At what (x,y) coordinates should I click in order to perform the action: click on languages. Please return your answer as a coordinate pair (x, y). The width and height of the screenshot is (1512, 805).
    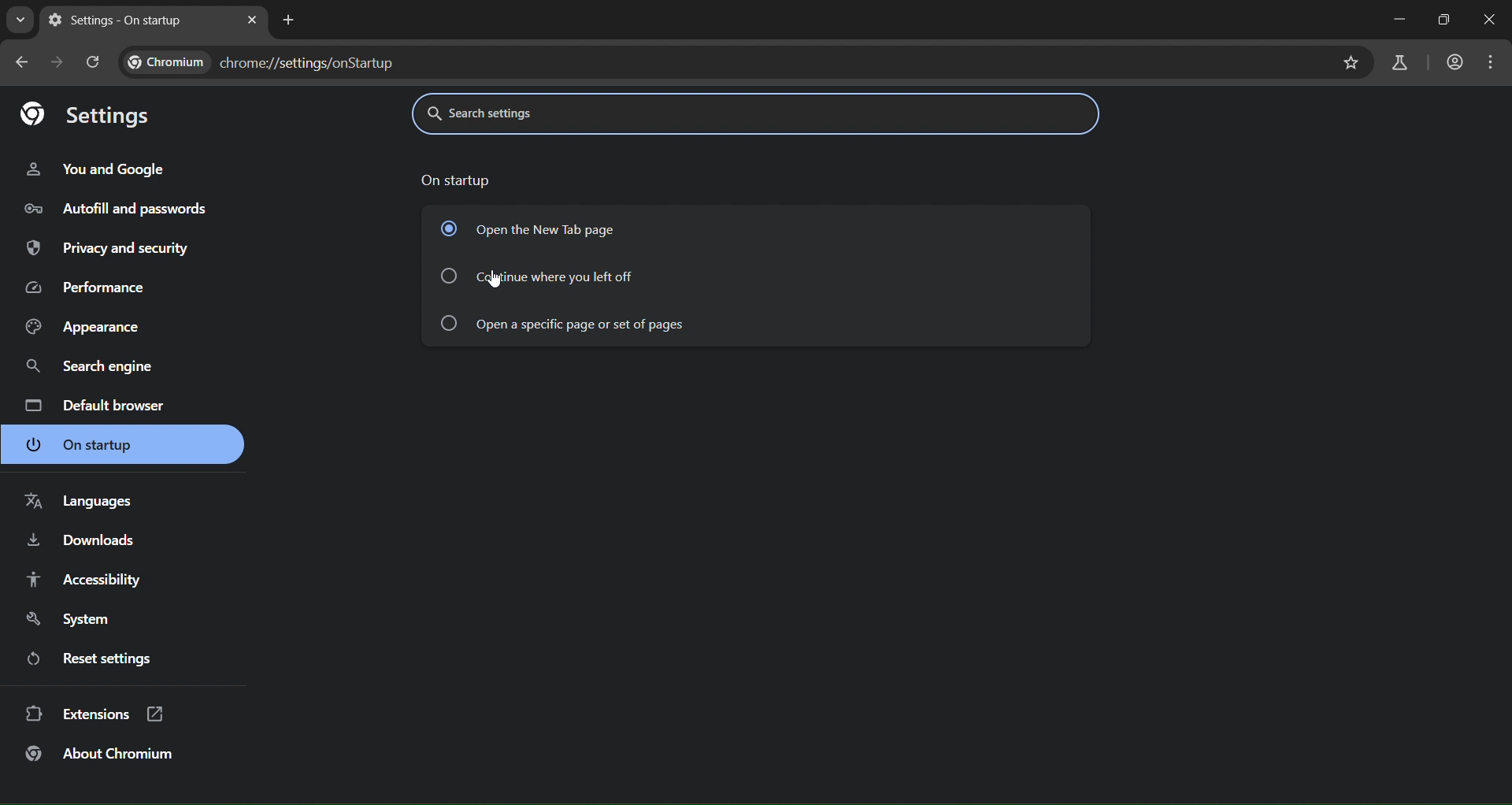
    Looking at the image, I should click on (79, 503).